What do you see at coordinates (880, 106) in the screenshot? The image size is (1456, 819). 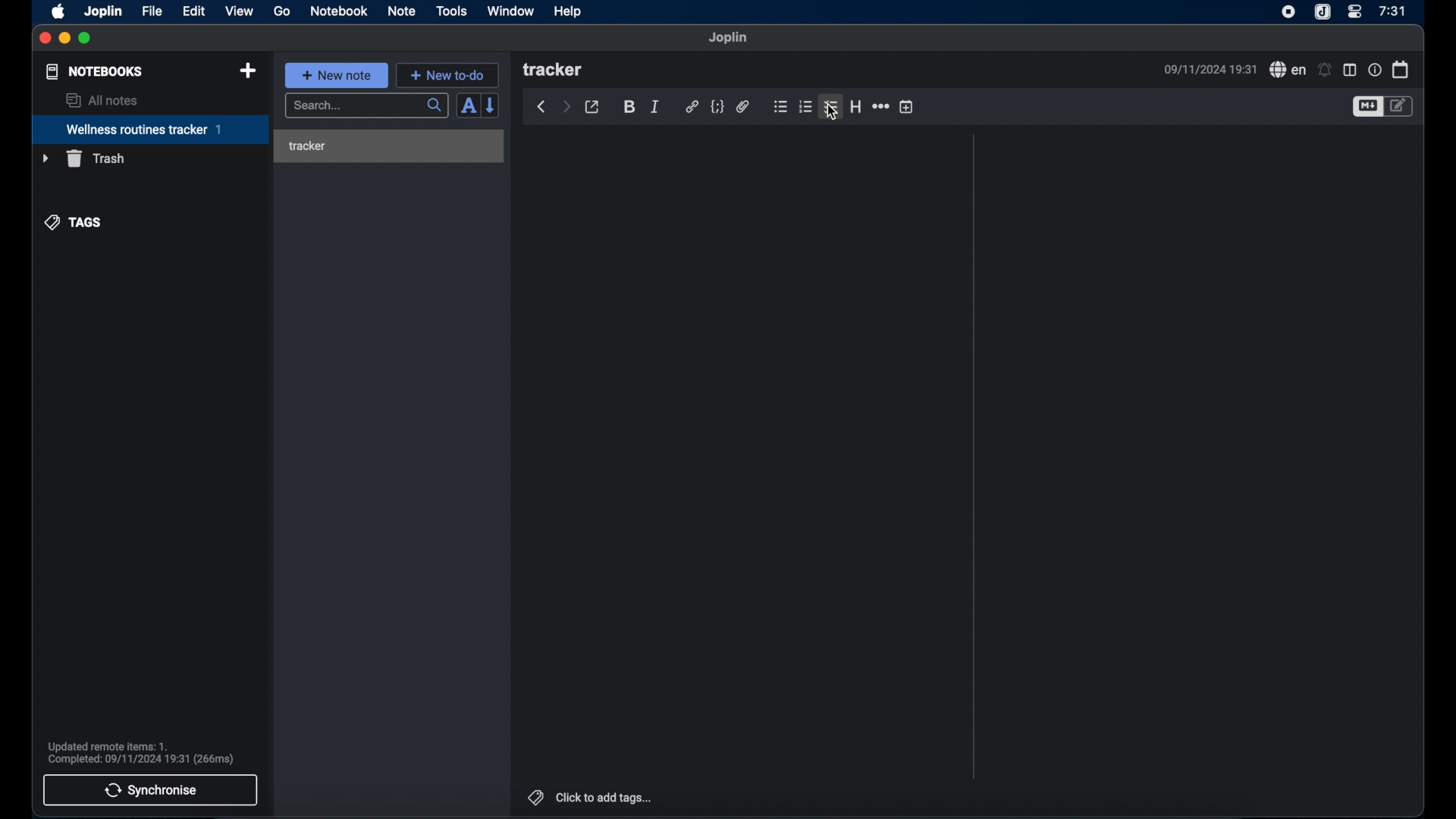 I see `horizontal rule` at bounding box center [880, 106].